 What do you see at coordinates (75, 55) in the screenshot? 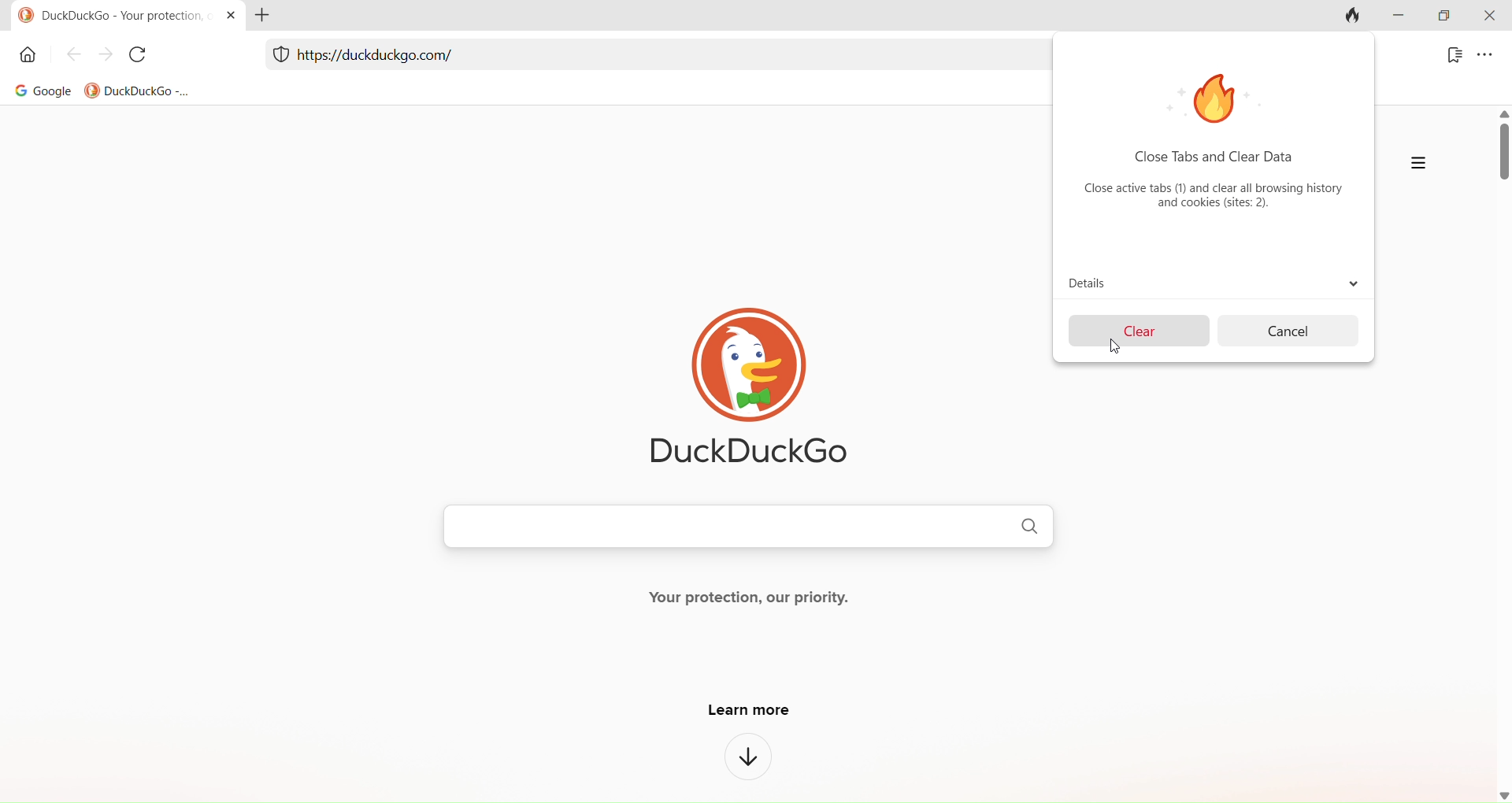
I see `back` at bounding box center [75, 55].